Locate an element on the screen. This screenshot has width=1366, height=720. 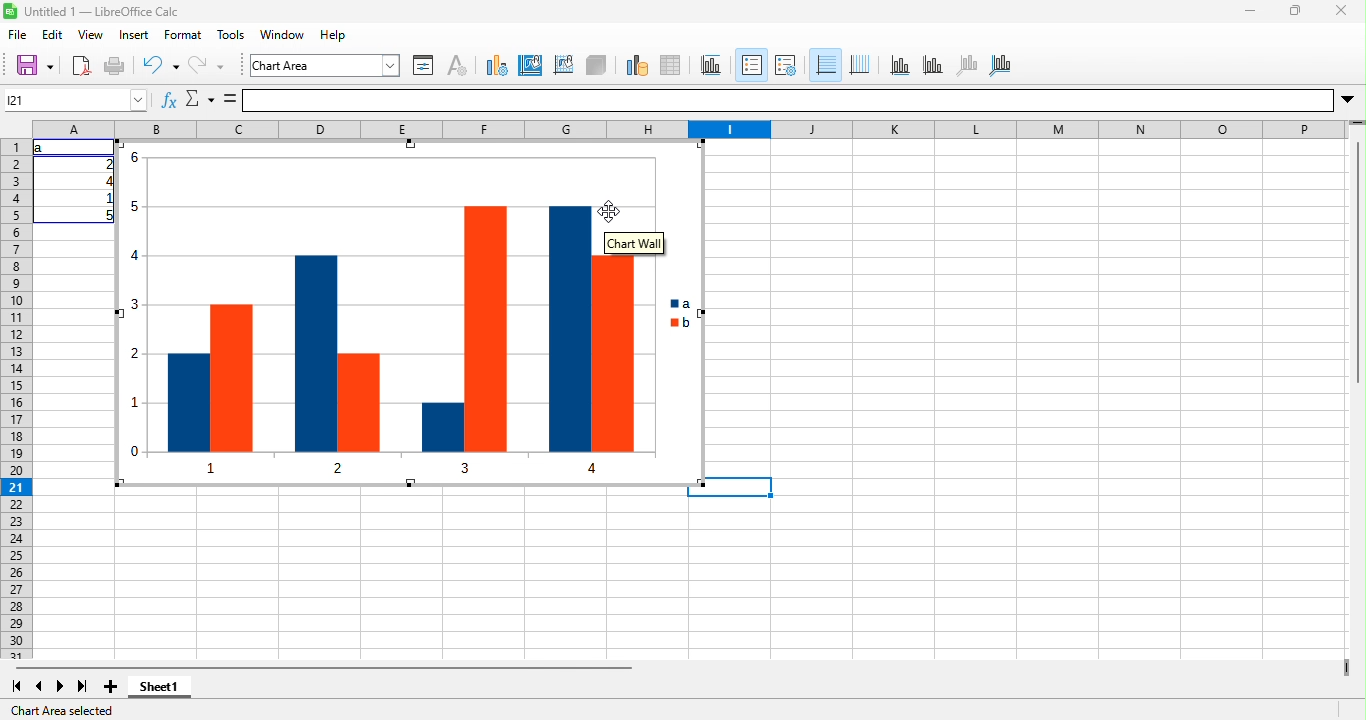
last sheet is located at coordinates (84, 686).